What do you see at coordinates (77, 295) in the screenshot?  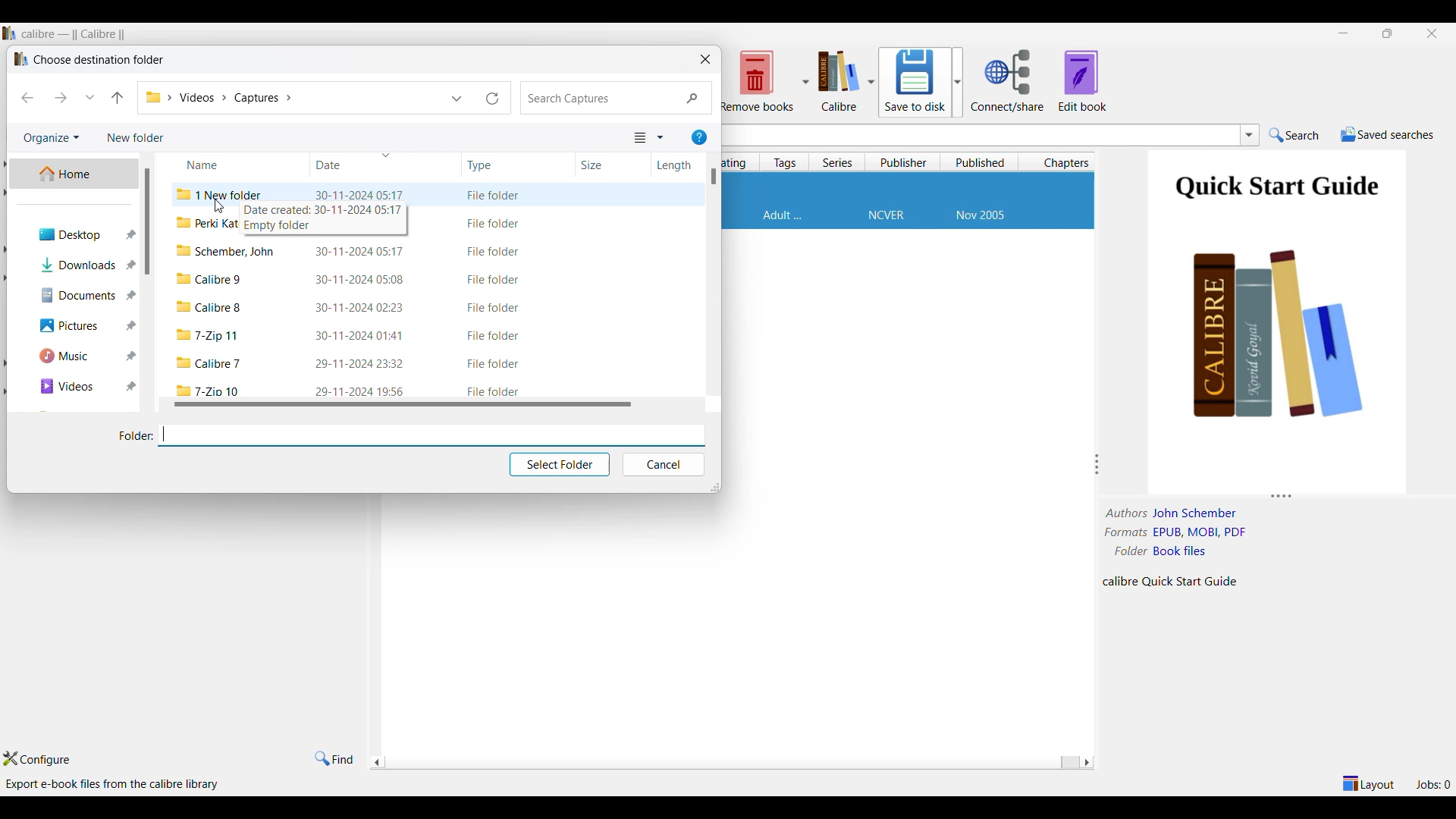 I see `Documents` at bounding box center [77, 295].